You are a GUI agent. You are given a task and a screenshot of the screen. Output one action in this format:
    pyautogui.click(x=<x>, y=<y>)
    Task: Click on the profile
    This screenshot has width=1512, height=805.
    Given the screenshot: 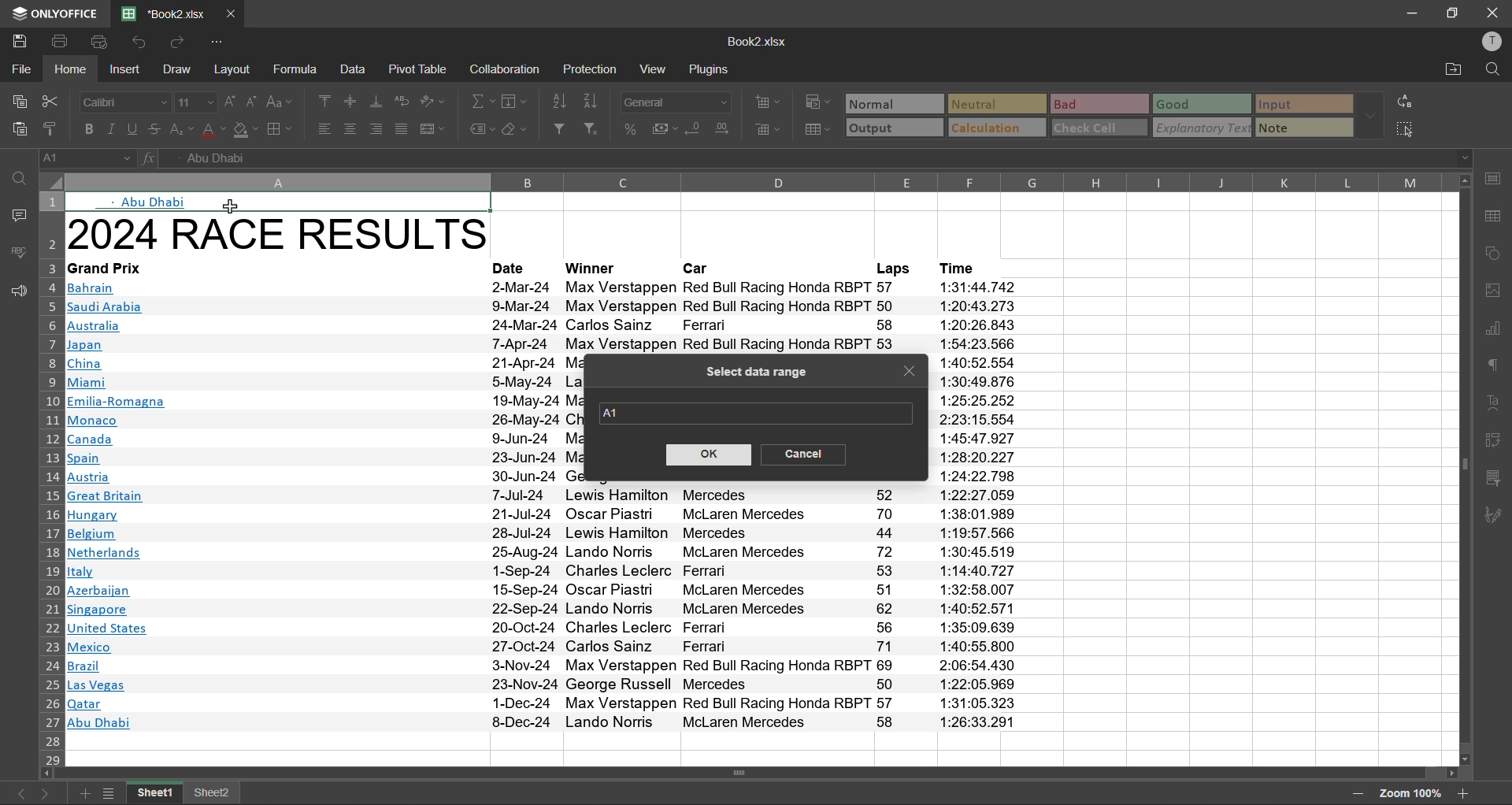 What is the action you would take?
    pyautogui.click(x=1490, y=41)
    